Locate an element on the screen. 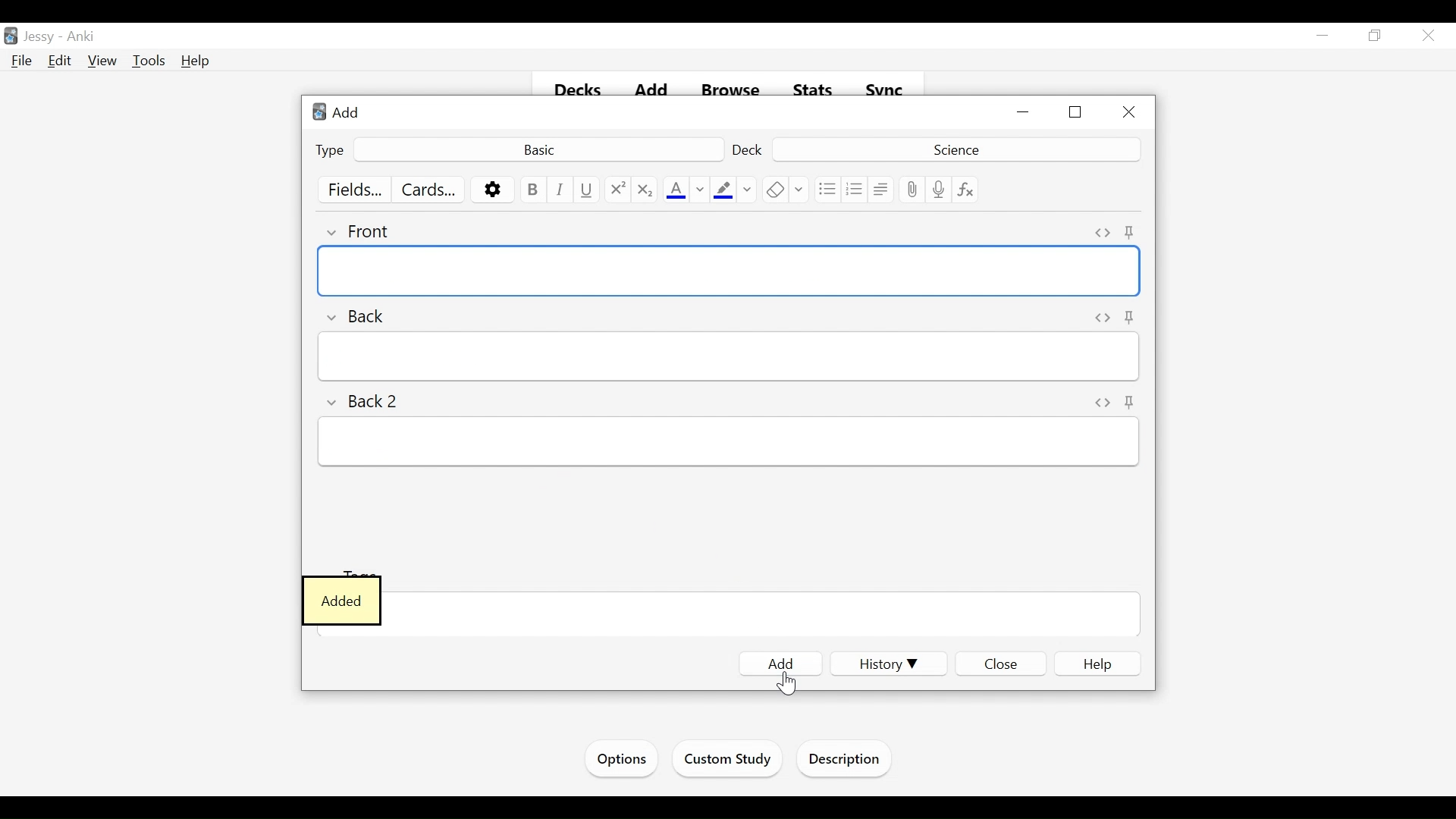 The height and width of the screenshot is (819, 1456). Toggle HTML editor is located at coordinates (1103, 401).